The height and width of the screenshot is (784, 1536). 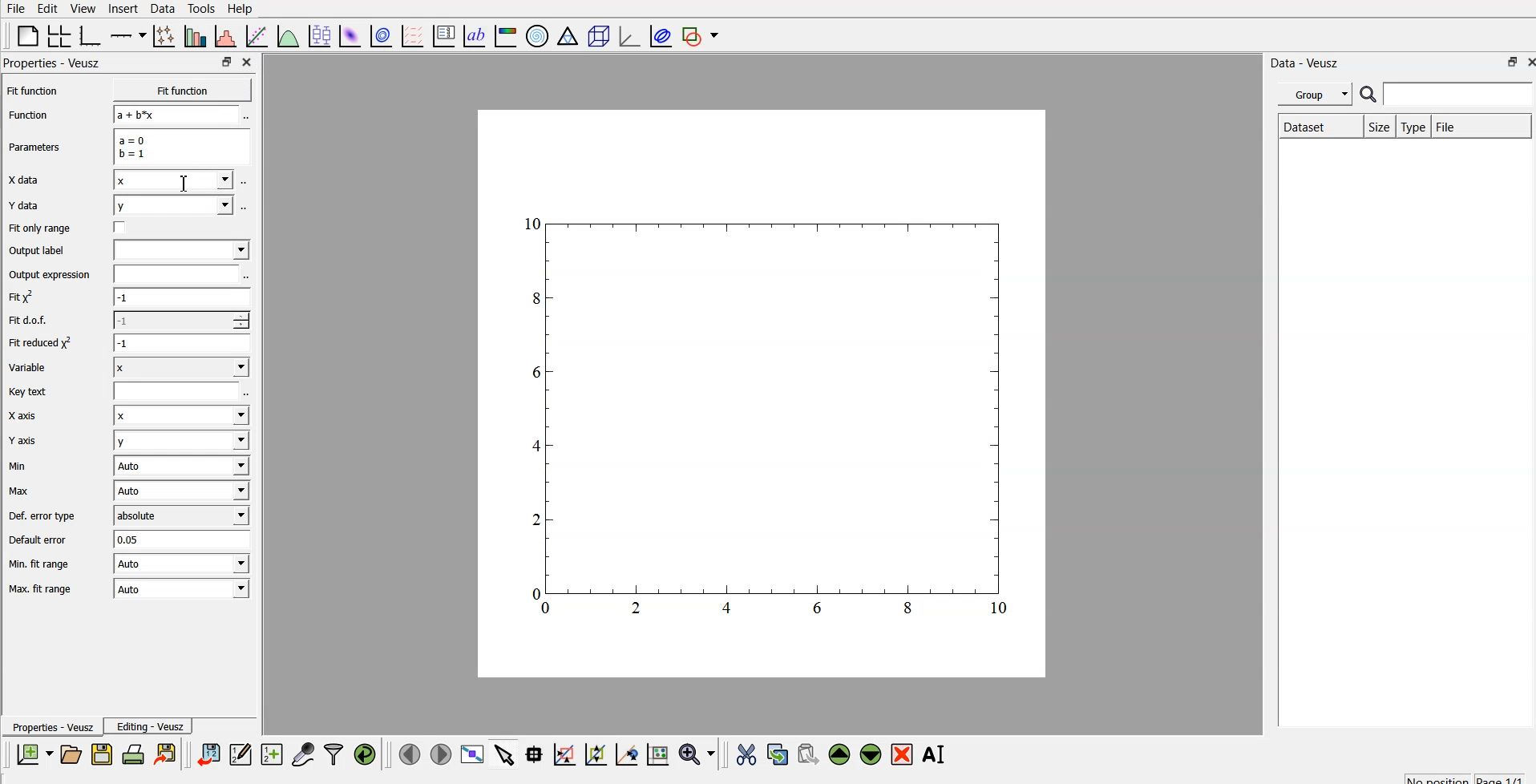 What do you see at coordinates (871, 754) in the screenshot?
I see `move down the selected widget` at bounding box center [871, 754].